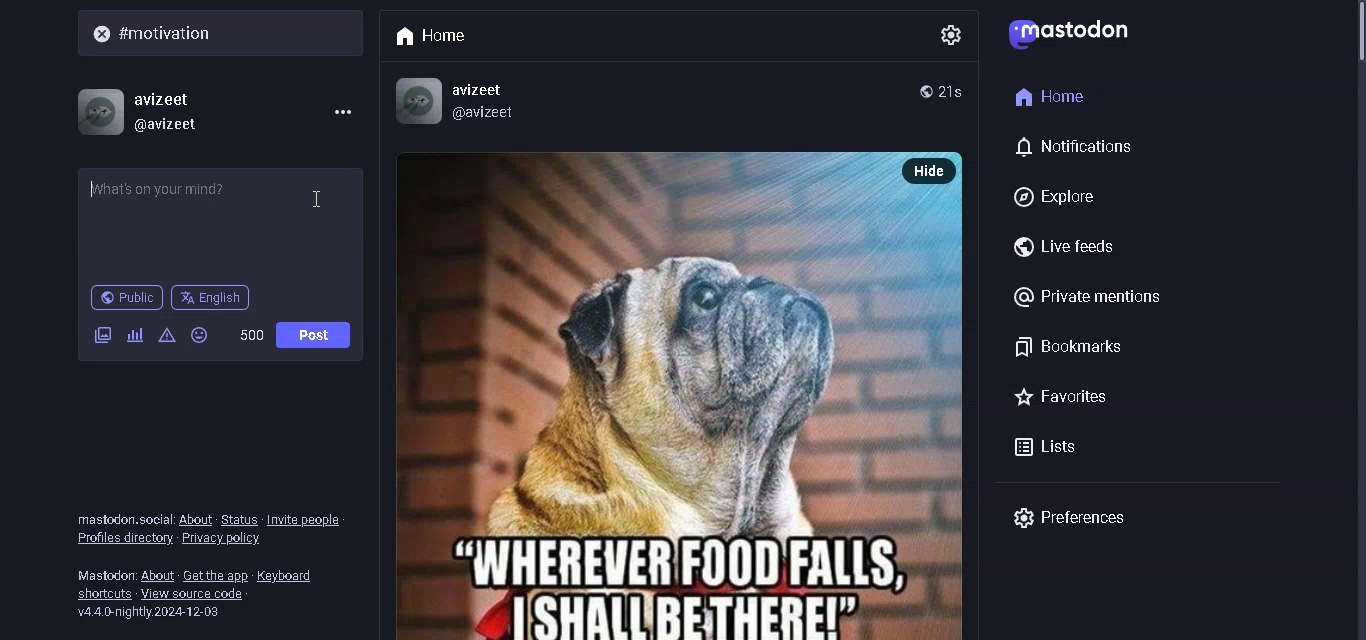 Image resolution: width=1366 pixels, height=640 pixels. What do you see at coordinates (221, 220) in the screenshot?
I see `whats on your mind` at bounding box center [221, 220].